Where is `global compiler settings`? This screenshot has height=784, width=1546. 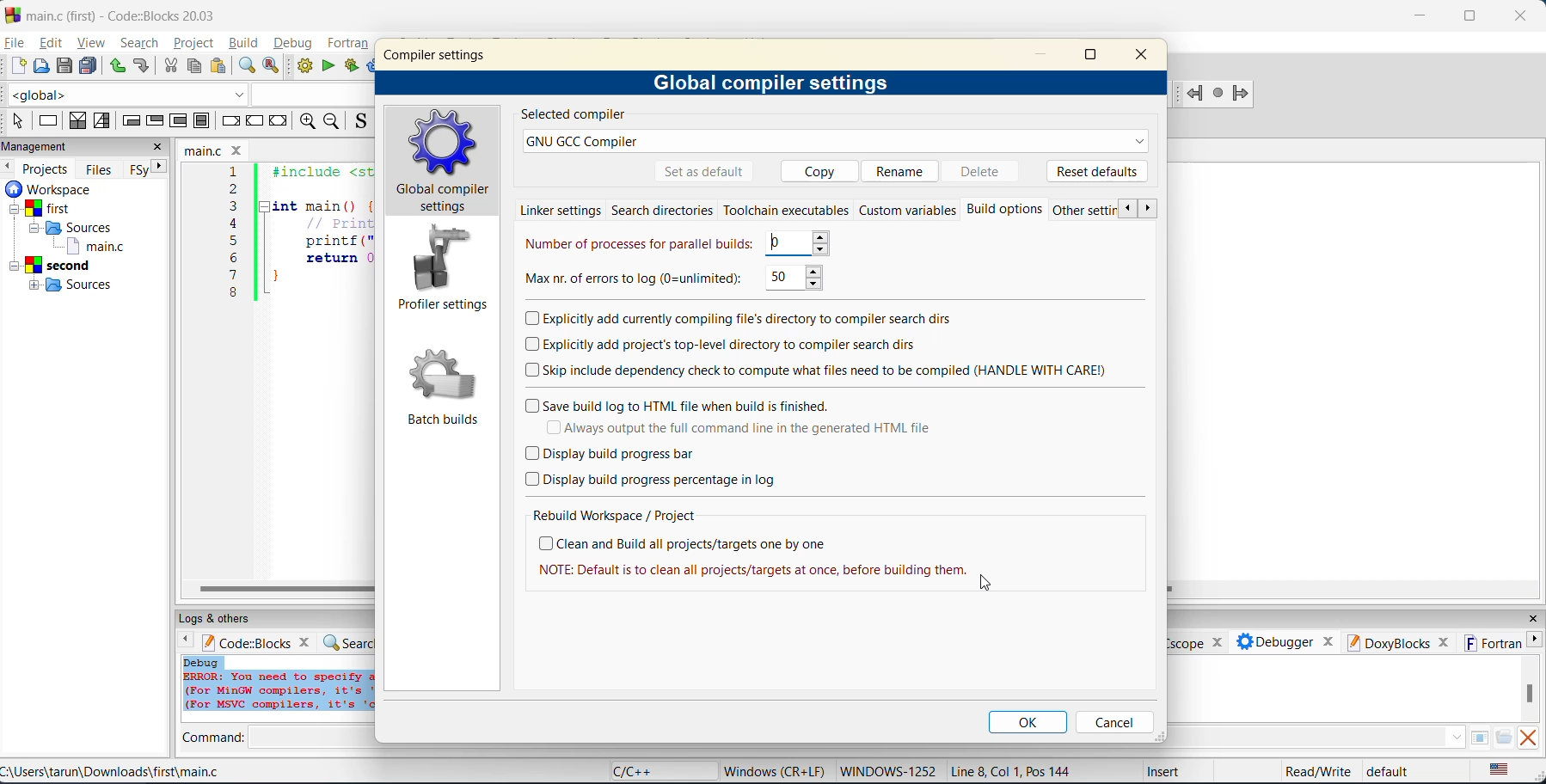 global compiler settings is located at coordinates (445, 162).